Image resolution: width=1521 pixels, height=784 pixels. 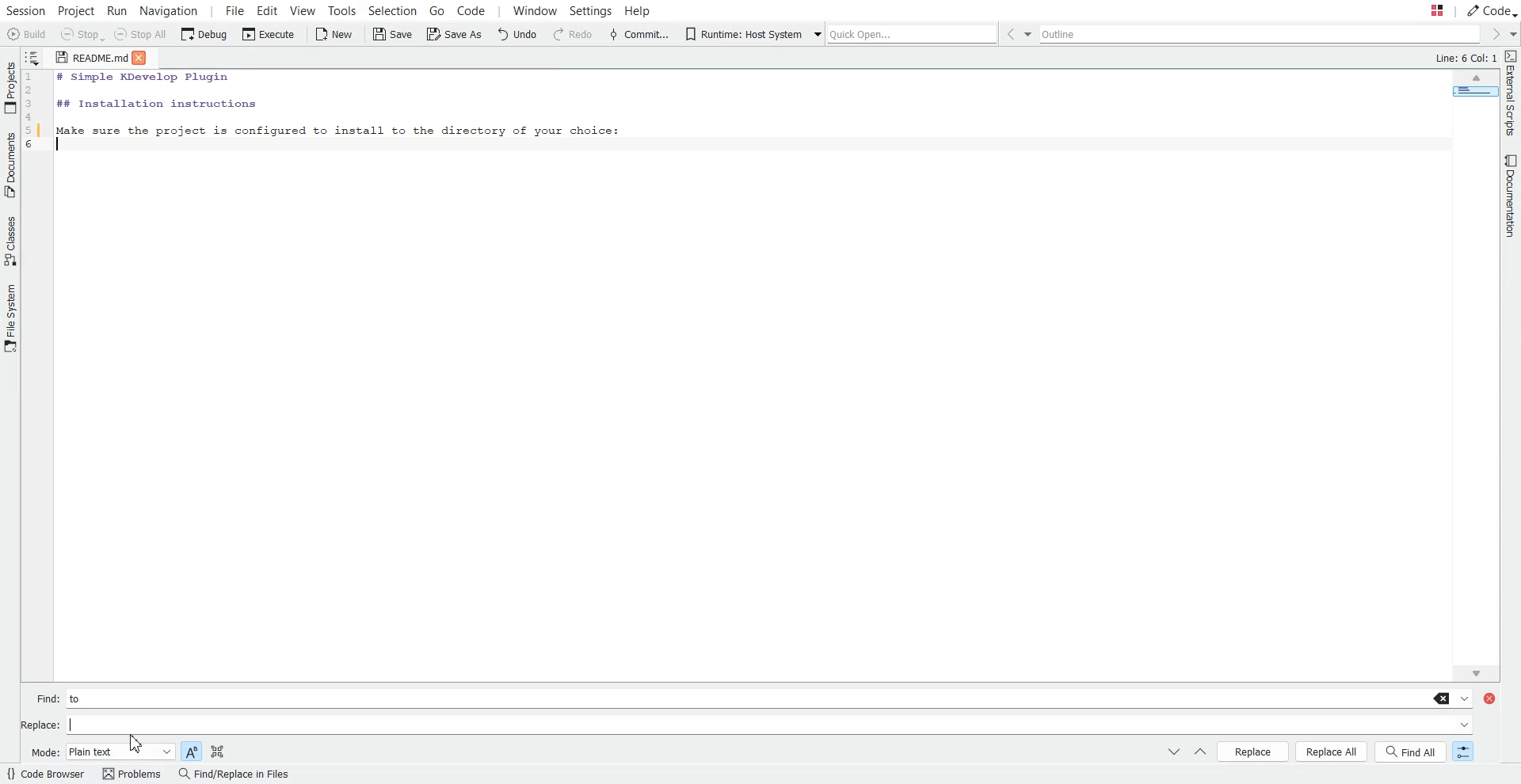 I want to click on Switch To Previous, so click(x=1199, y=753).